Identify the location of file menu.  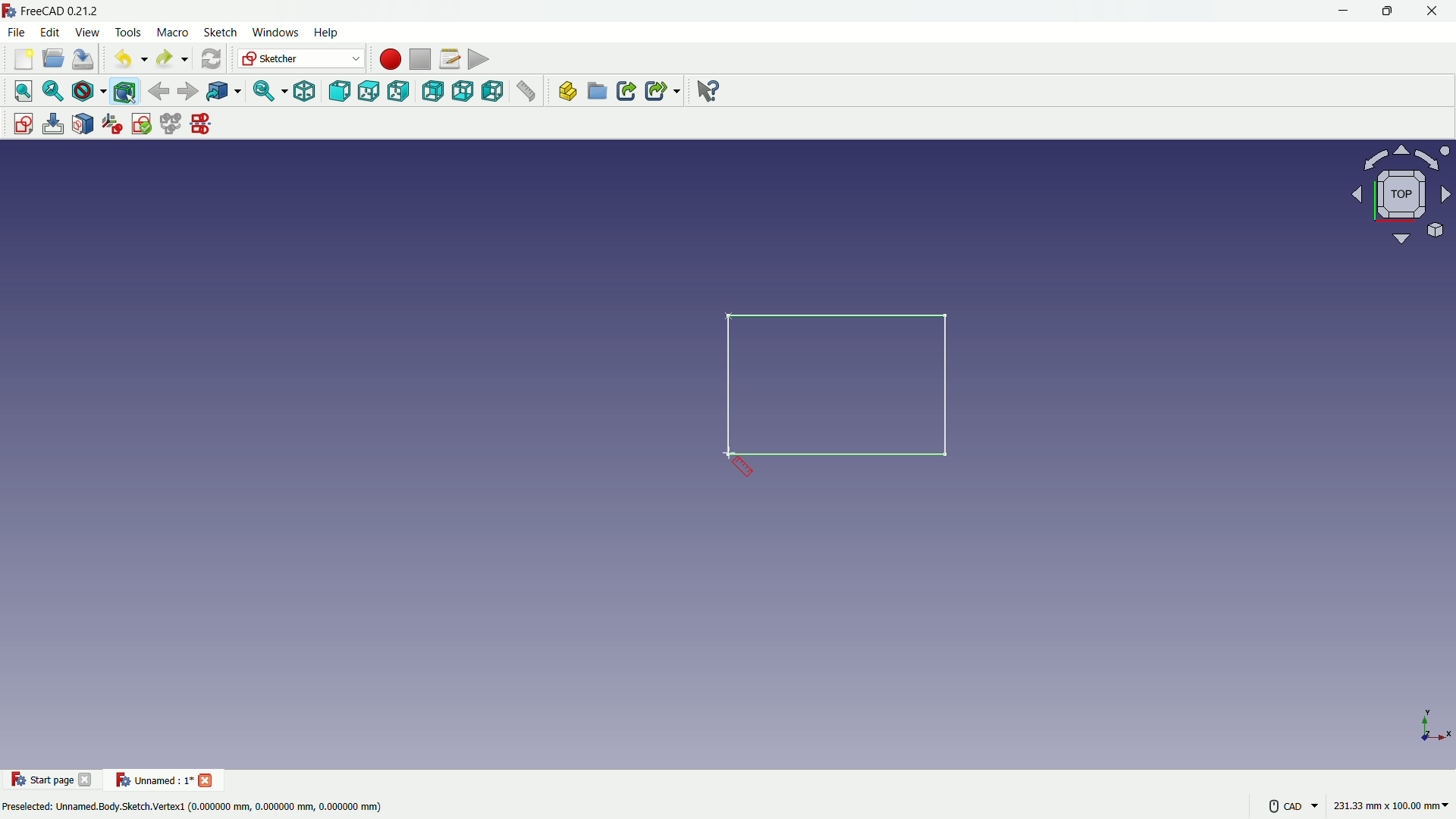
(18, 33).